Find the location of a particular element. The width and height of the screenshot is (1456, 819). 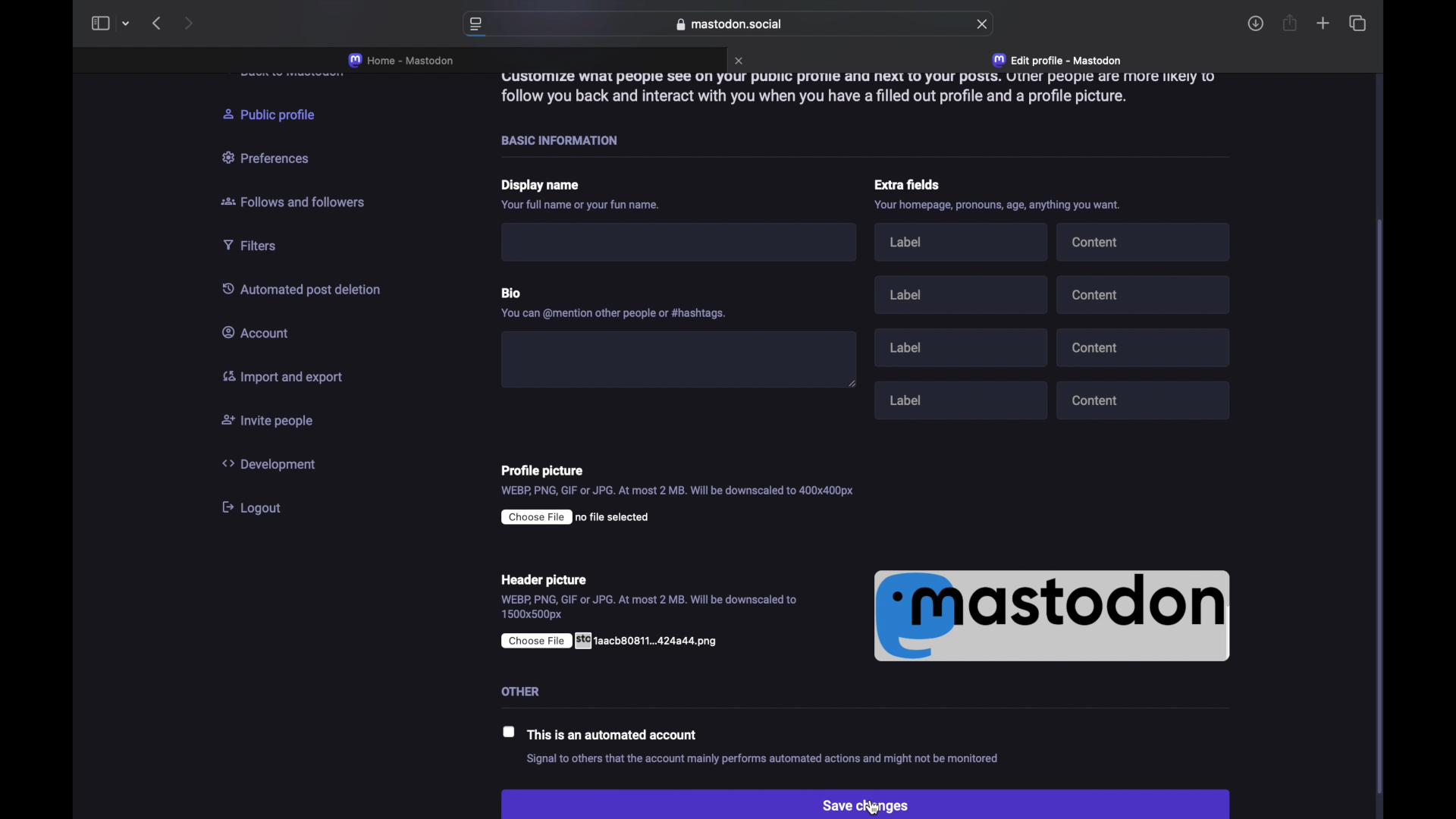

Header picture is located at coordinates (562, 580).